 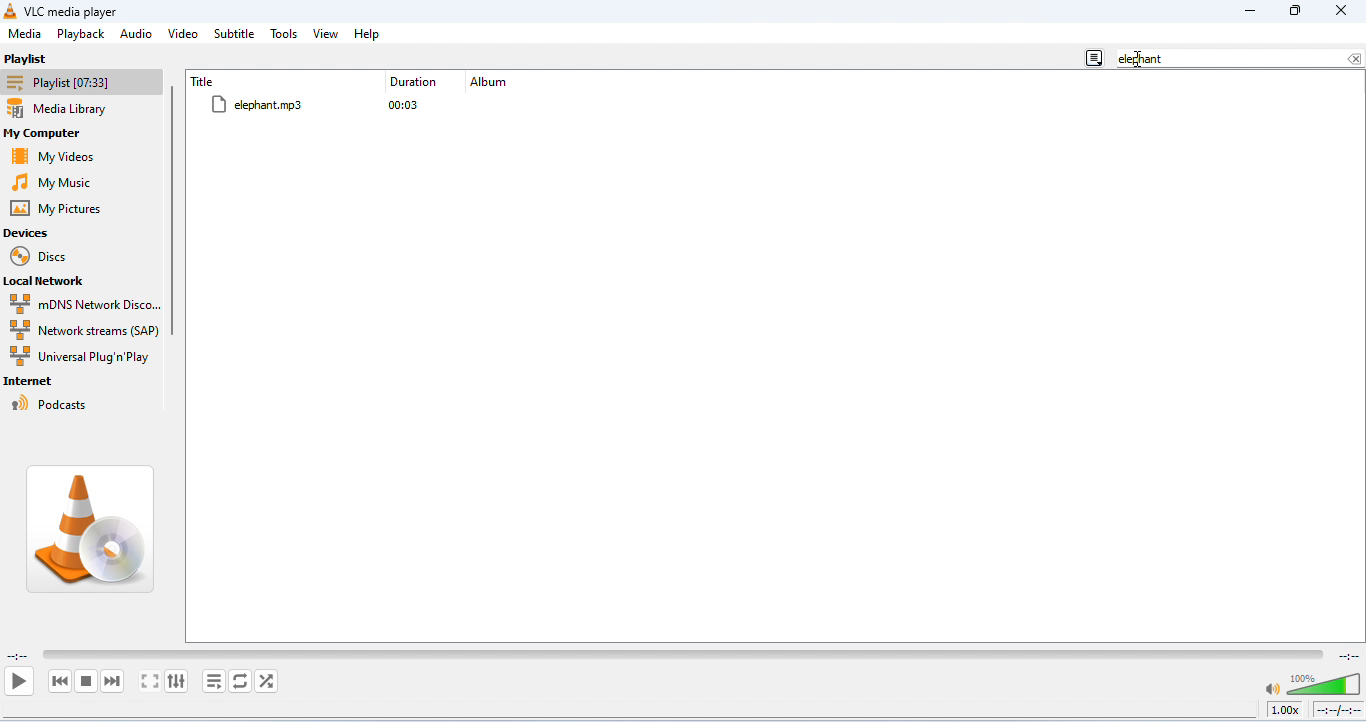 I want to click on playlist [07:33], so click(x=83, y=82).